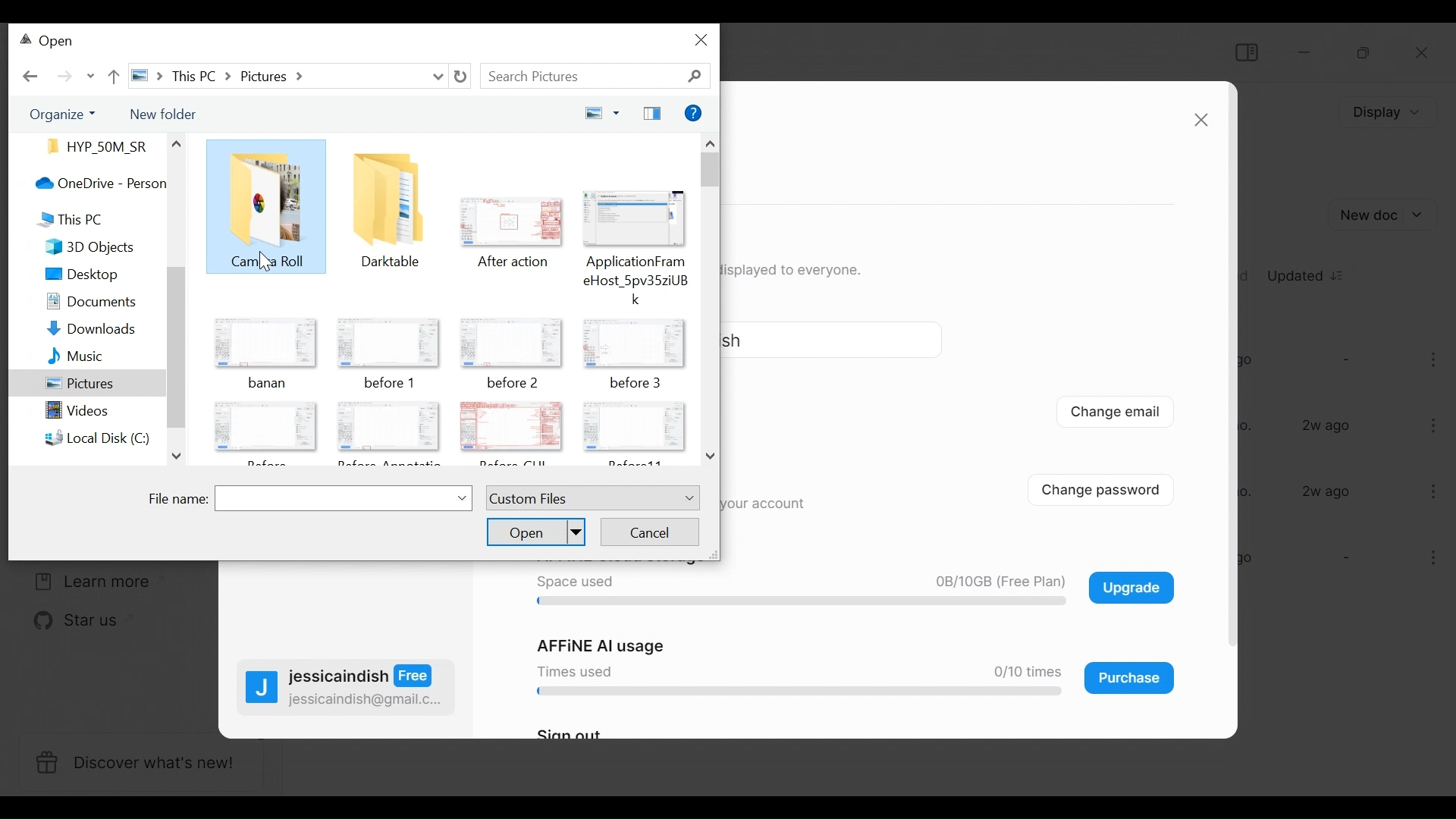  What do you see at coordinates (80, 275) in the screenshot?
I see `Desktop` at bounding box center [80, 275].